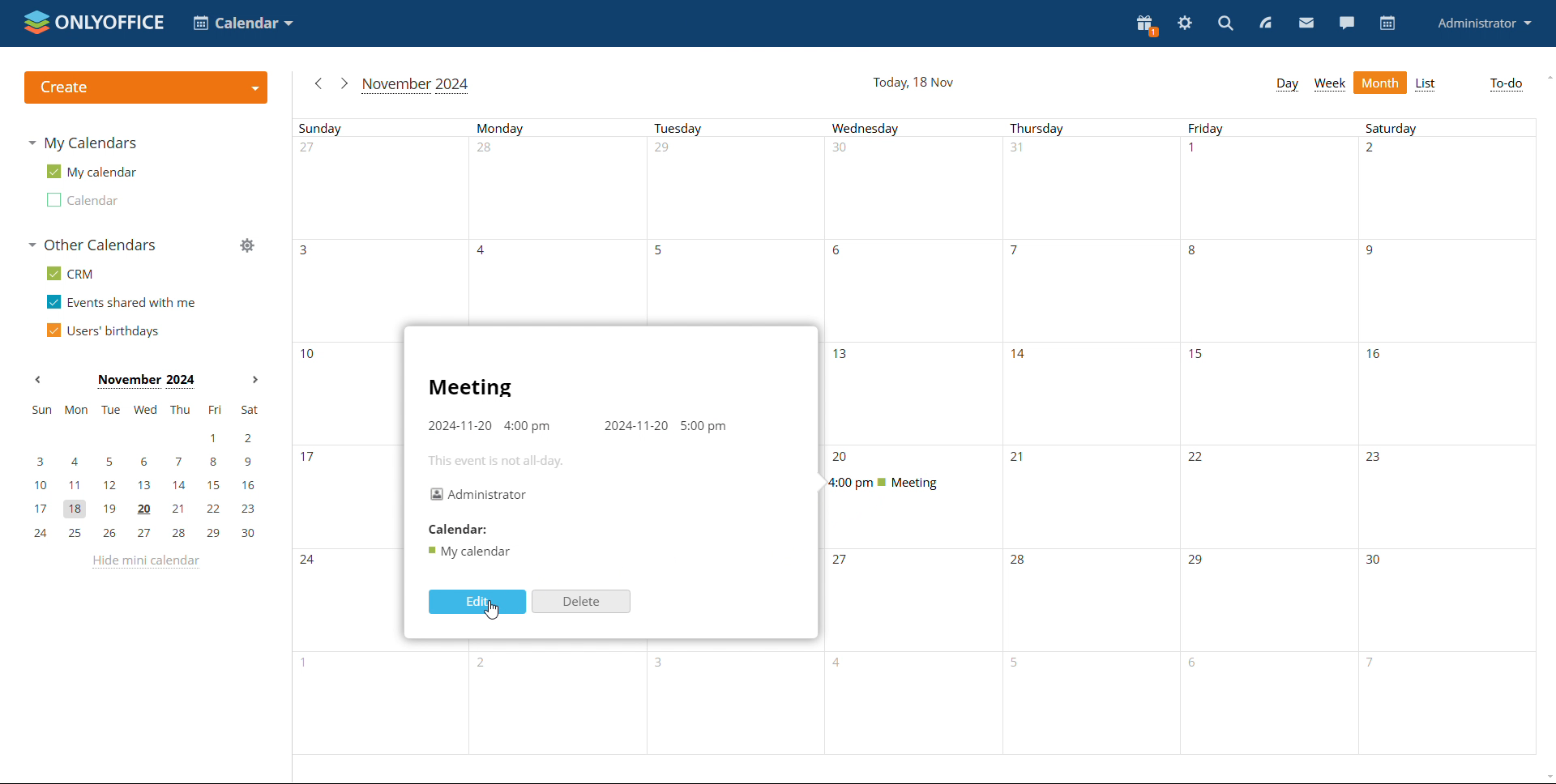 The width and height of the screenshot is (1556, 784). I want to click on calendar, so click(82, 200).